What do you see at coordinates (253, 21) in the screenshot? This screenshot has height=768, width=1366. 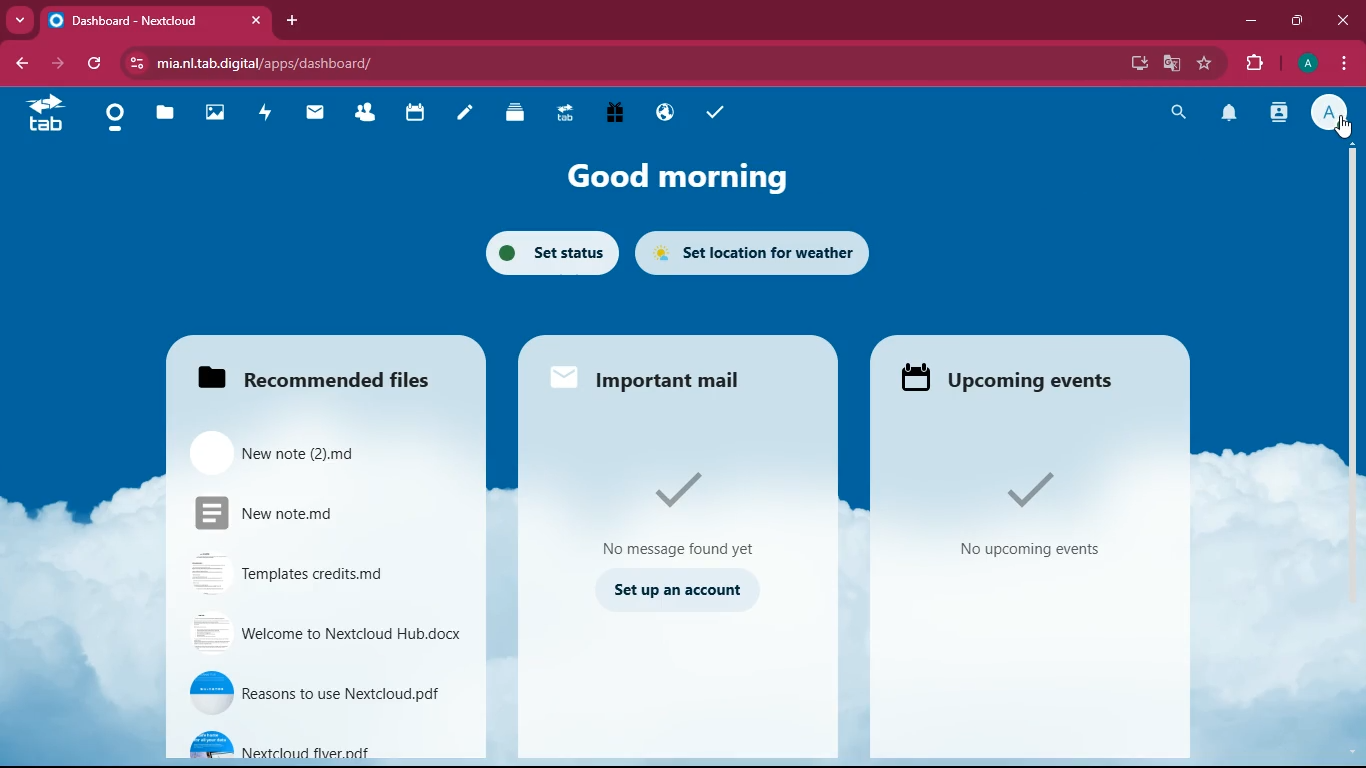 I see `close` at bounding box center [253, 21].